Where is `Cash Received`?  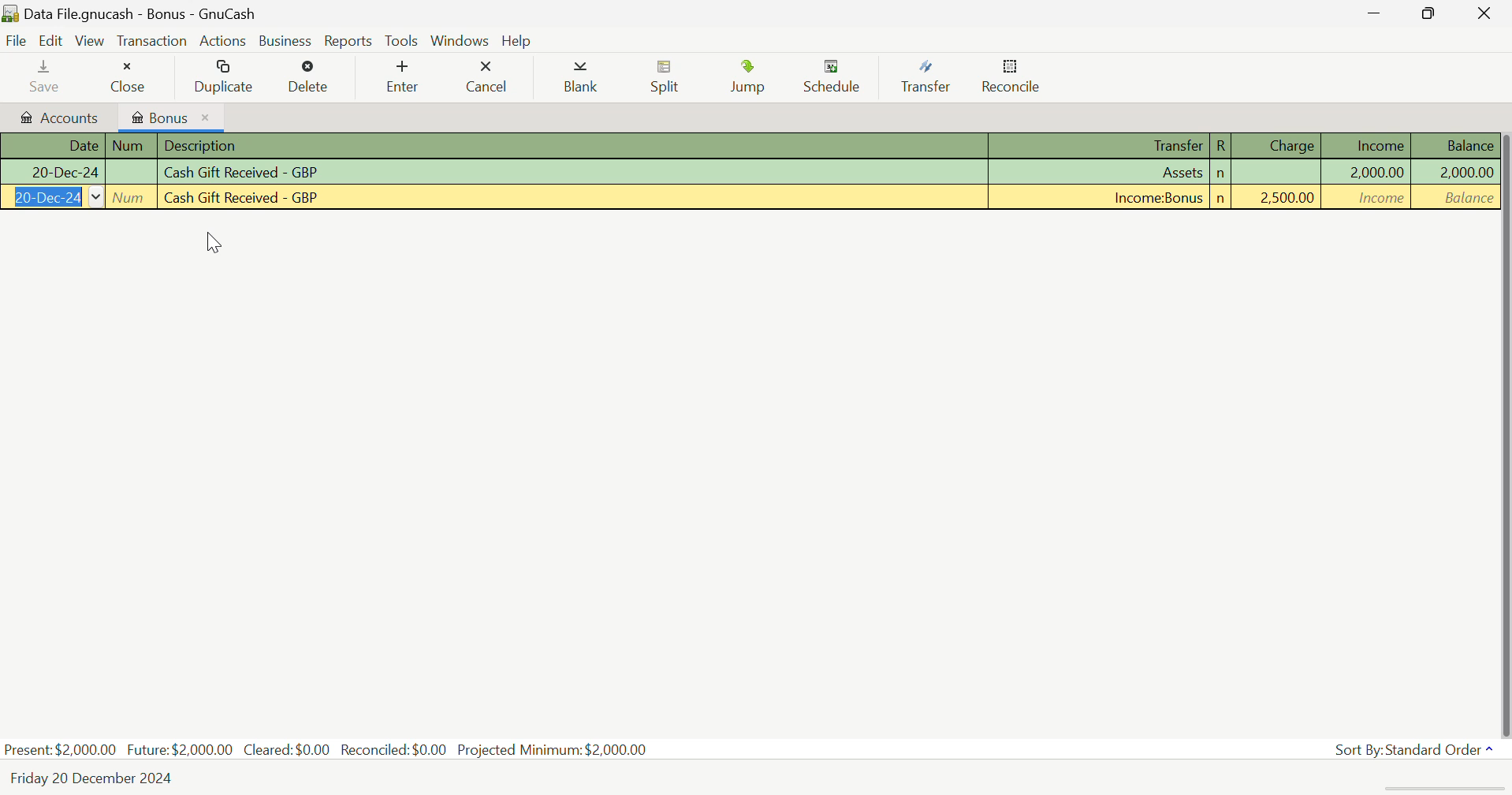
Cash Received is located at coordinates (574, 173).